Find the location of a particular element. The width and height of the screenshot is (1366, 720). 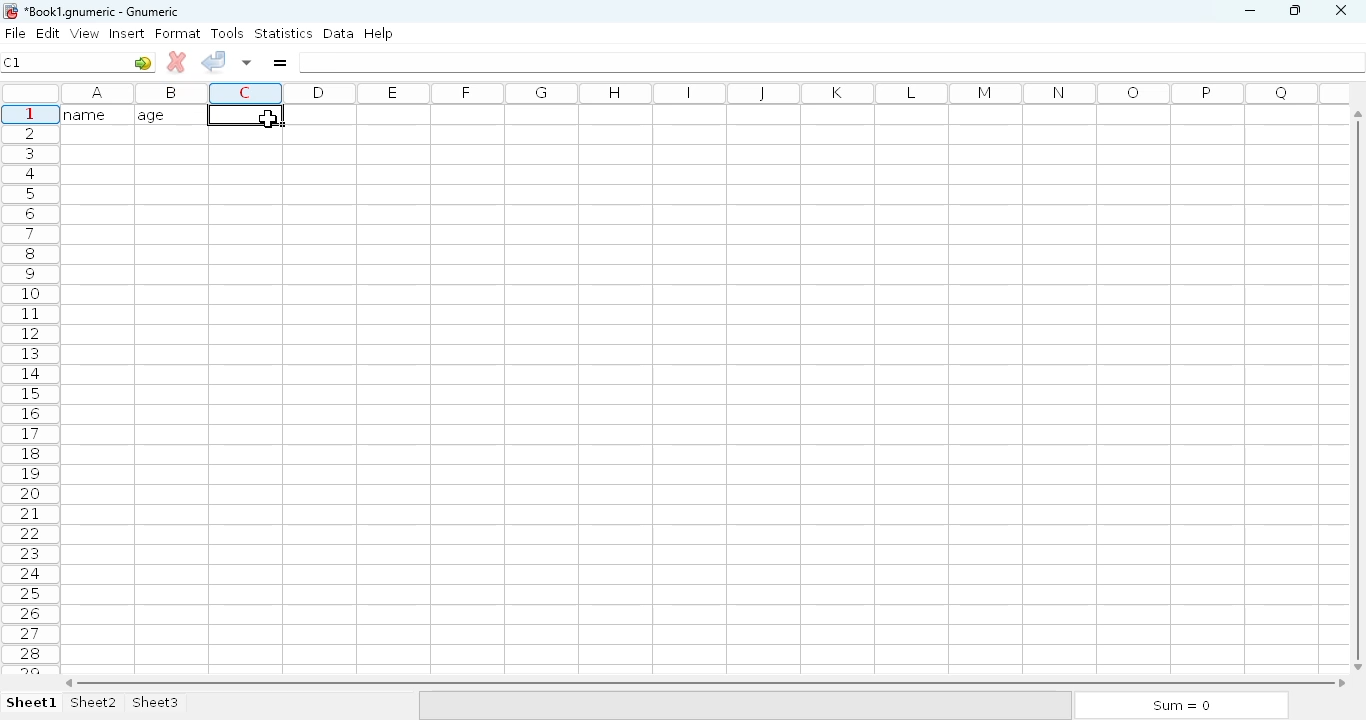

data is located at coordinates (339, 33).